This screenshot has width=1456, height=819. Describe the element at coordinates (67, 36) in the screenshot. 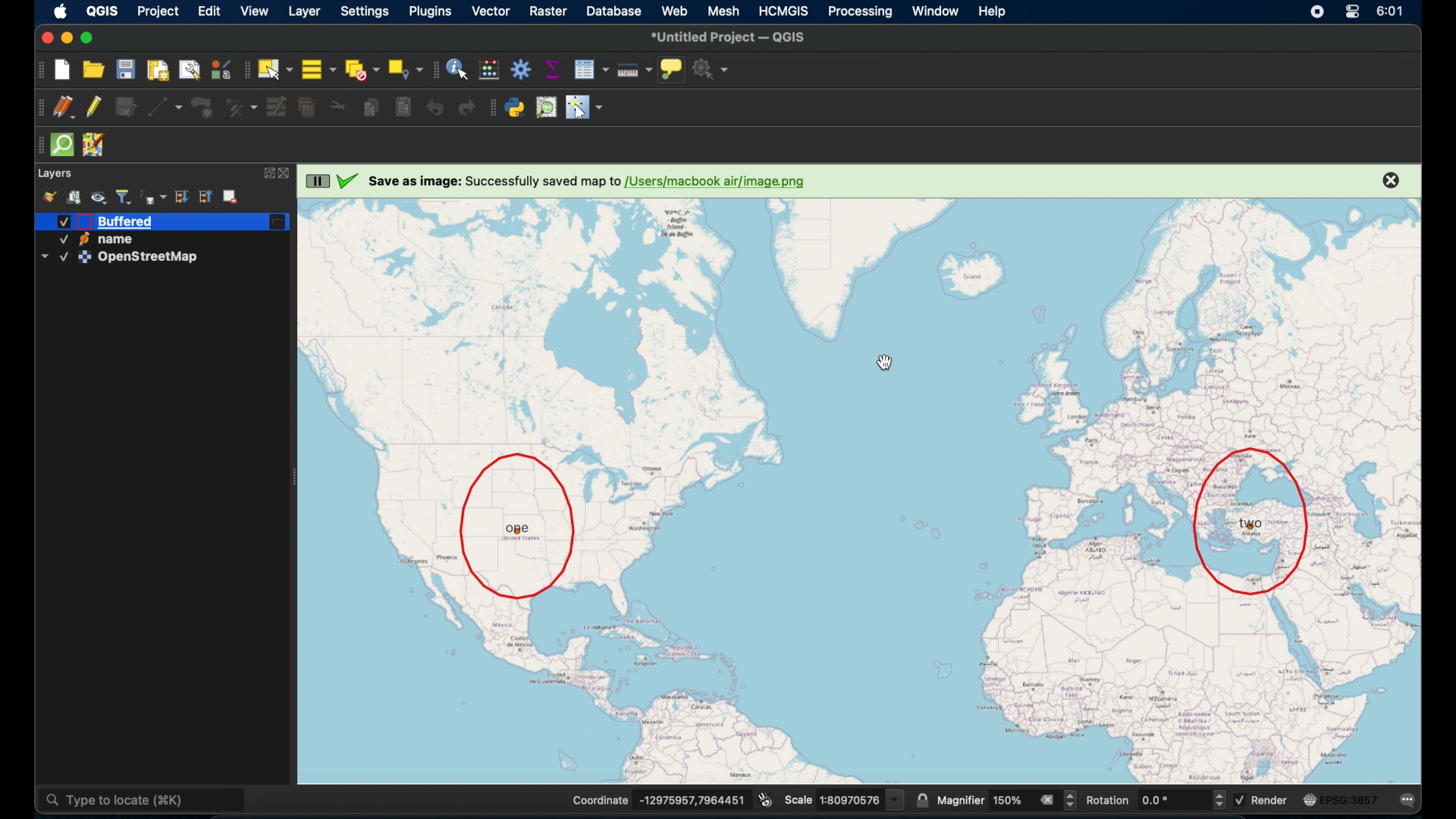

I see `minimize ` at that location.